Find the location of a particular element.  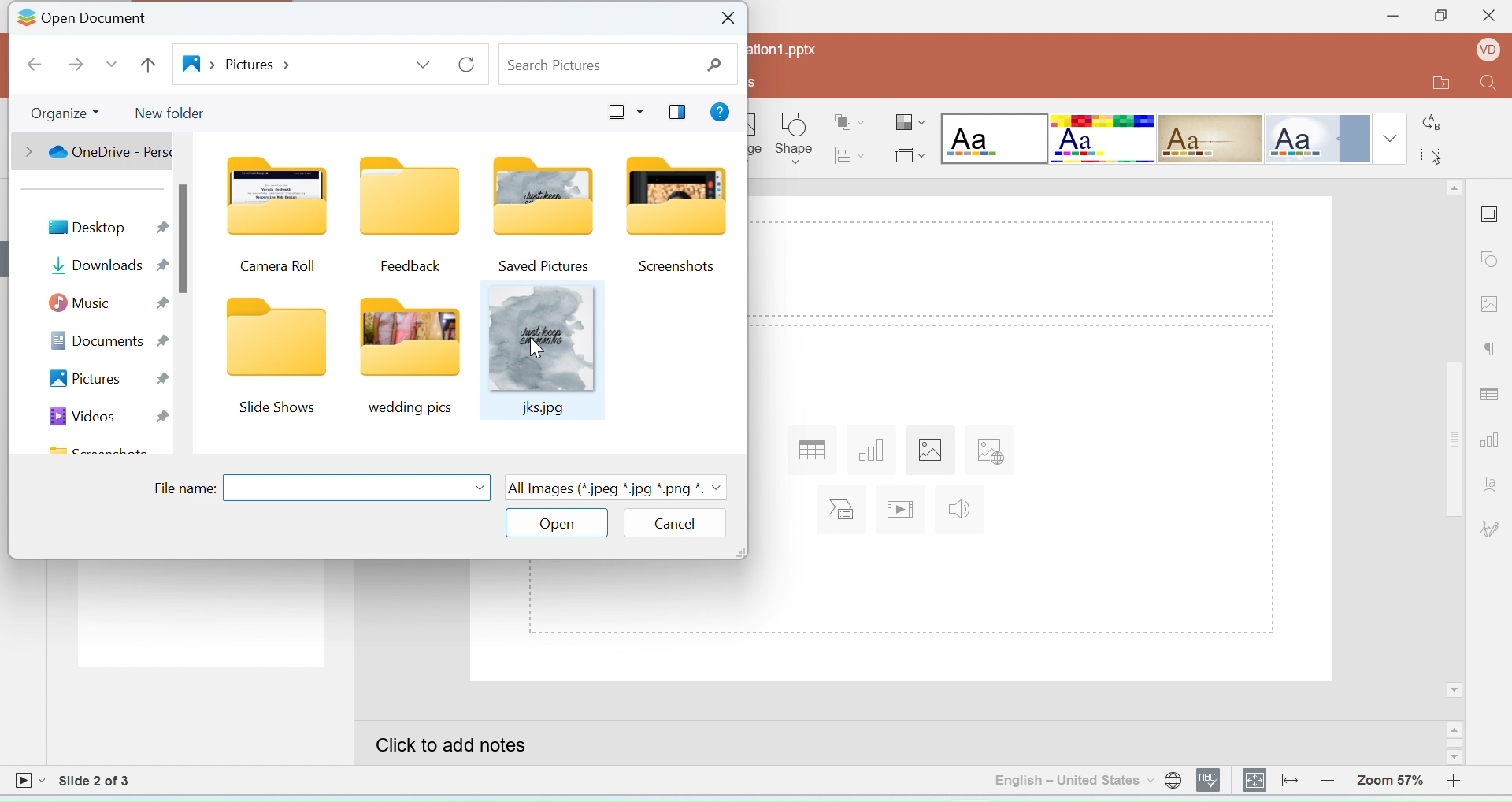

folder-6 is located at coordinates (409, 359).